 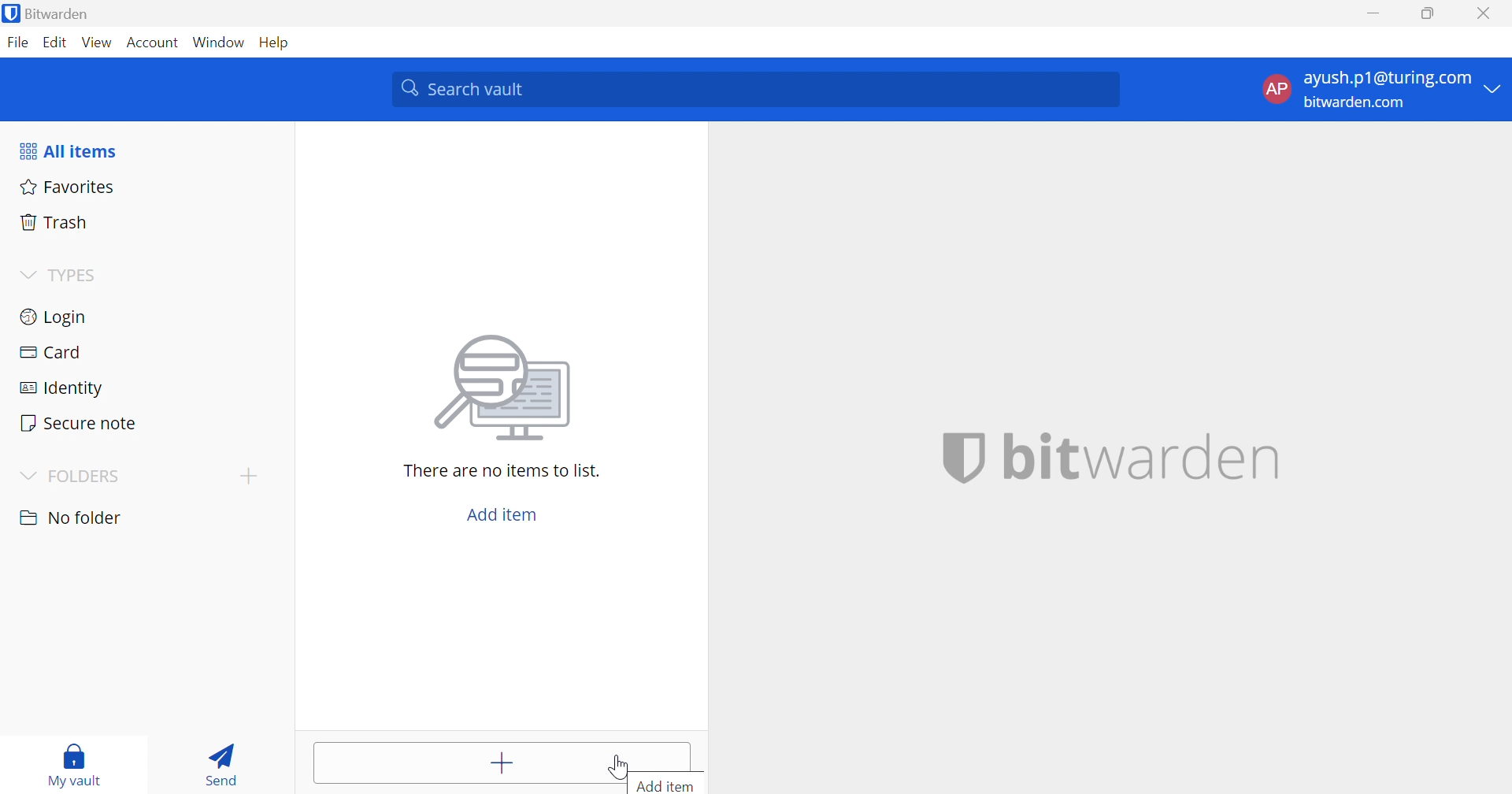 What do you see at coordinates (502, 514) in the screenshot?
I see `Add item` at bounding box center [502, 514].